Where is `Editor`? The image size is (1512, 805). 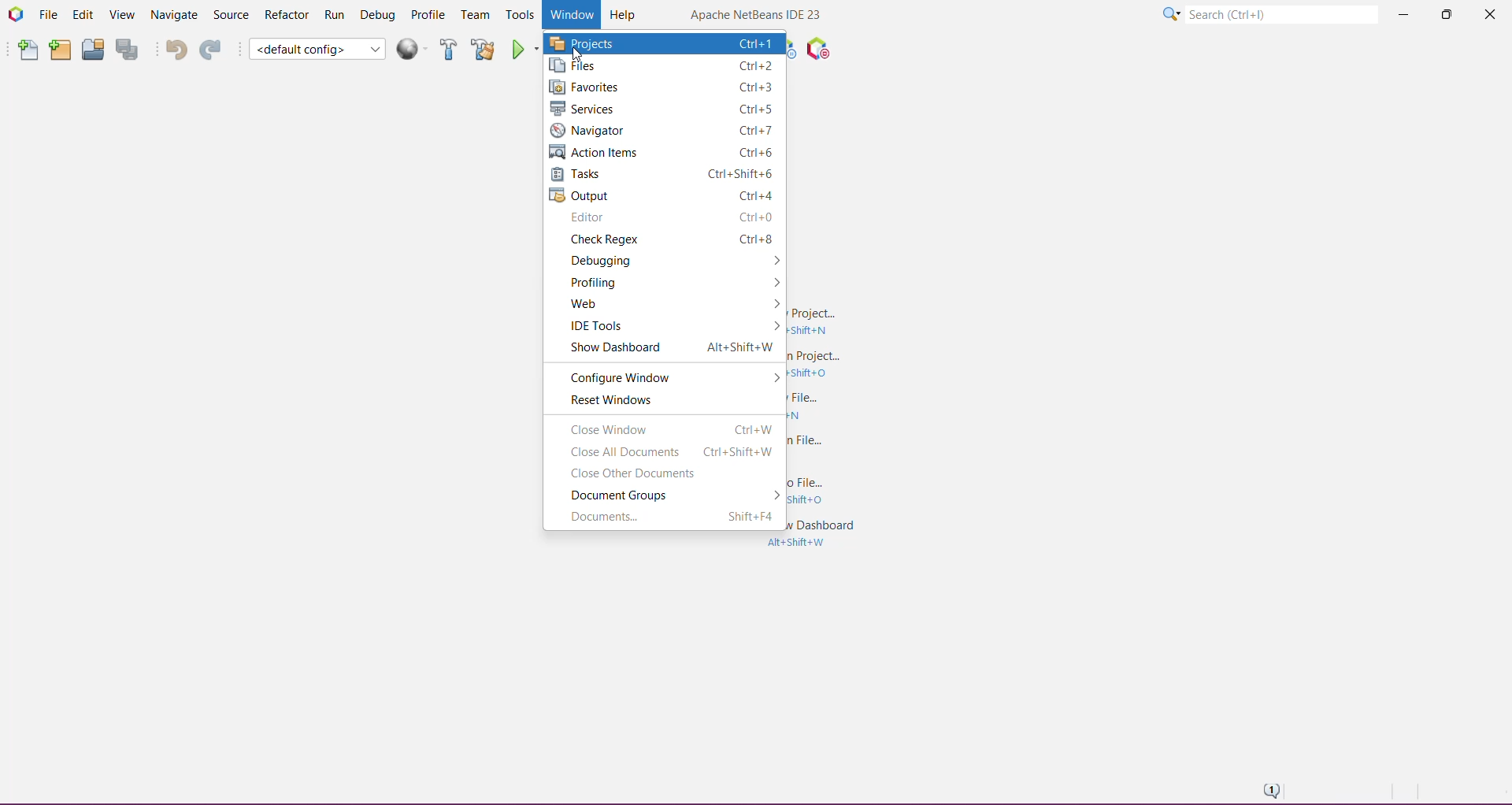
Editor is located at coordinates (666, 217).